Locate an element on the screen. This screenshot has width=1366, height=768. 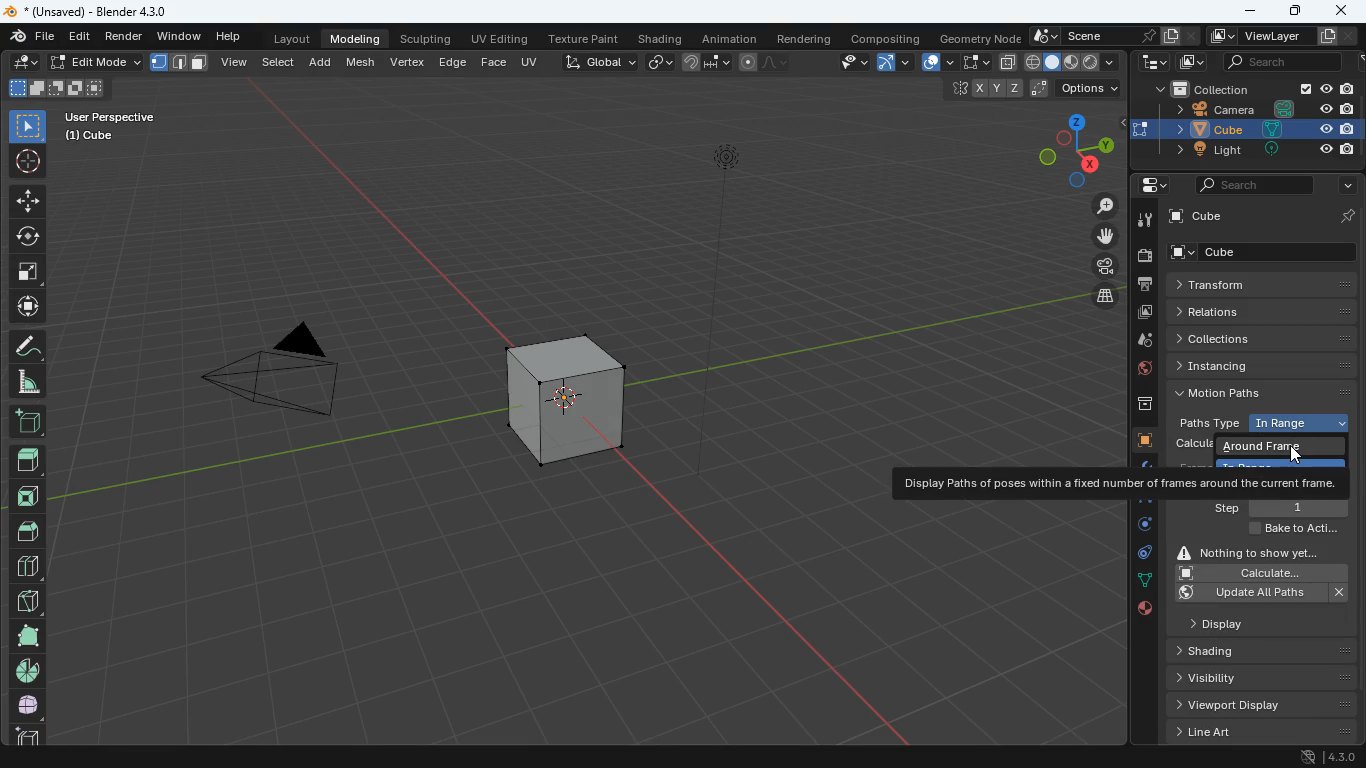
cube is located at coordinates (1265, 215).